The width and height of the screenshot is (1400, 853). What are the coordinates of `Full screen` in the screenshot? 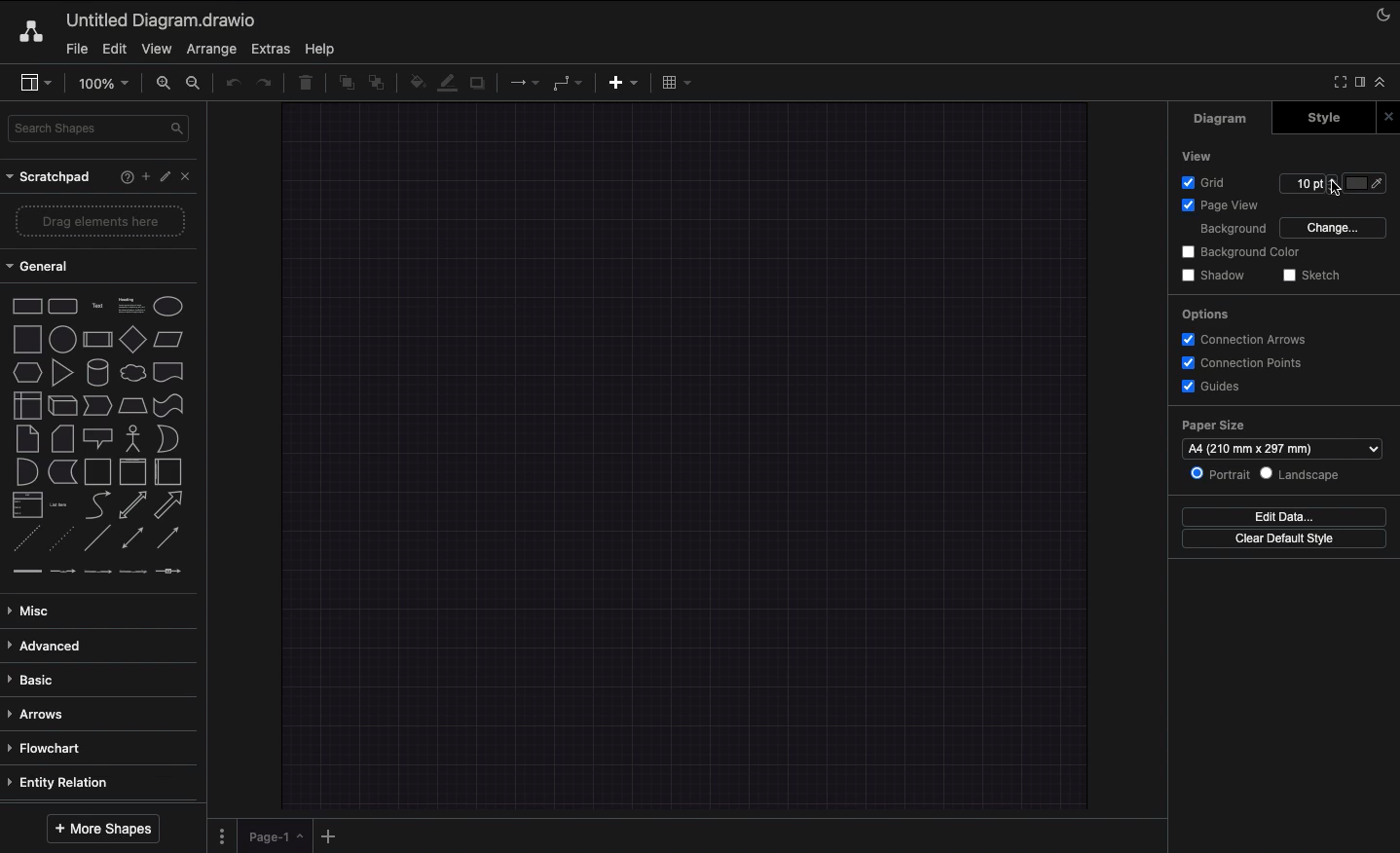 It's located at (1339, 81).